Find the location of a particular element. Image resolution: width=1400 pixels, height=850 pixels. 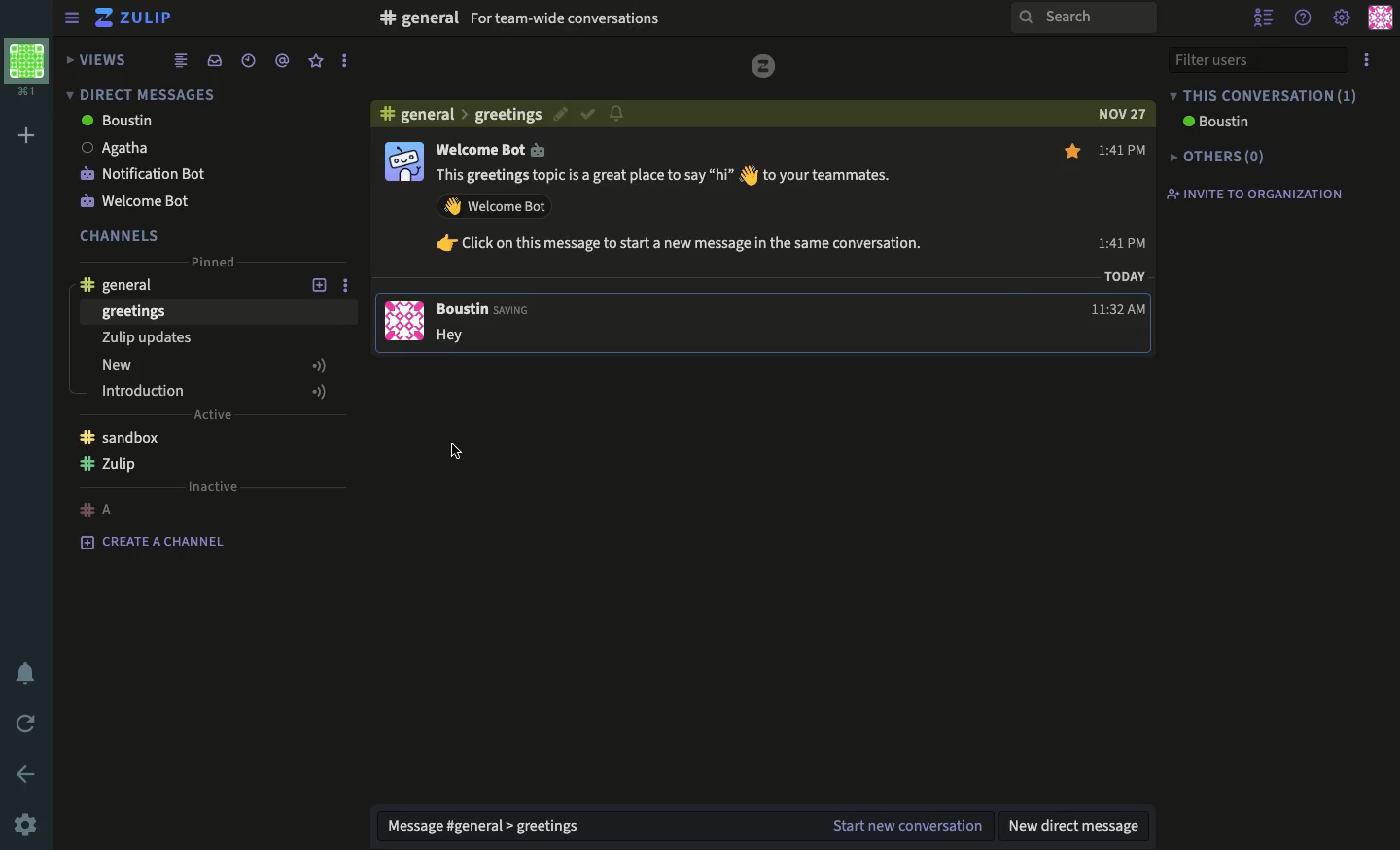

notification bot is located at coordinates (142, 199).